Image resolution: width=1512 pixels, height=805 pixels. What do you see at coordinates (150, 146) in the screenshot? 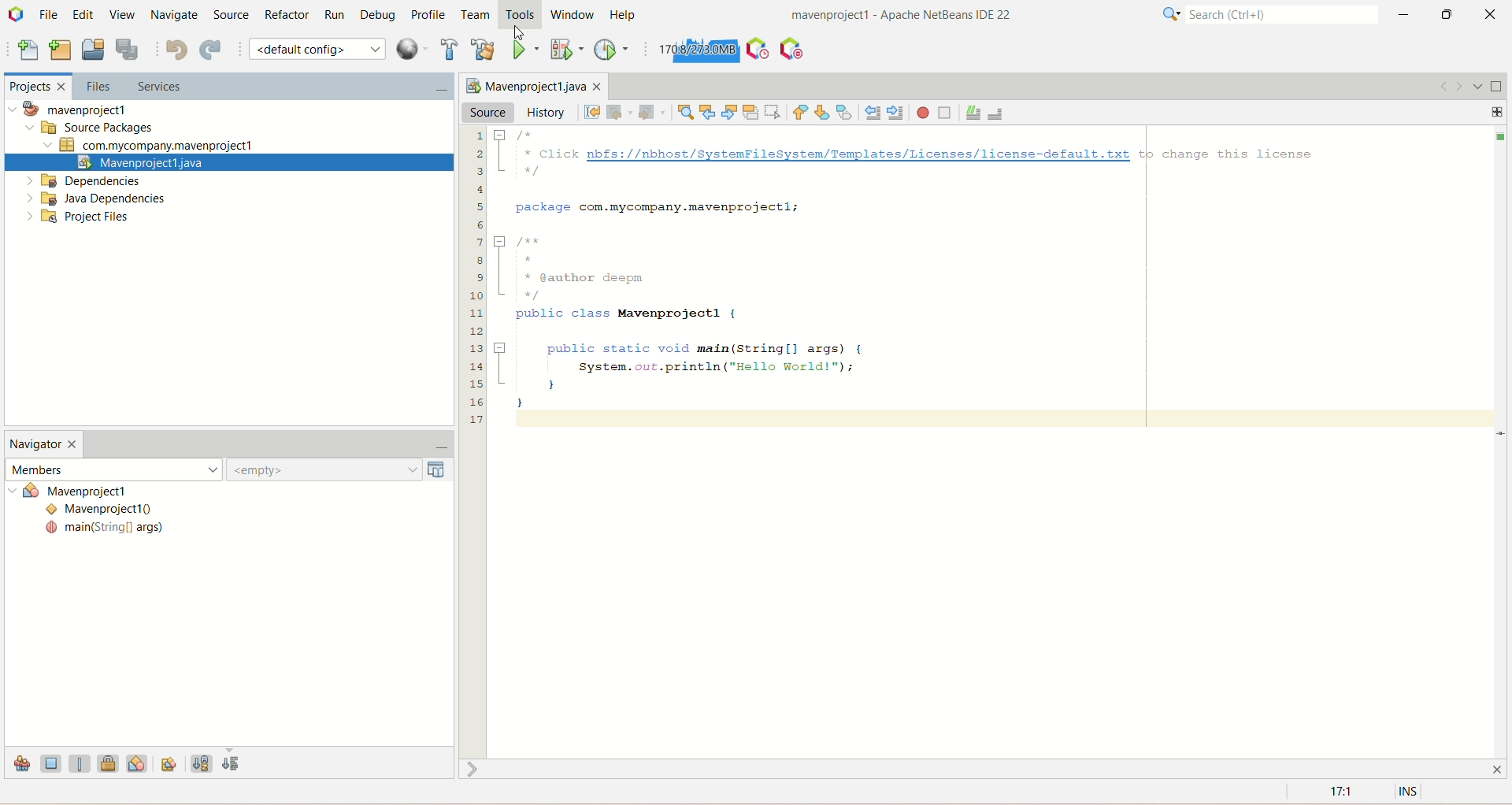
I see `com.mycompany.mavenproject1` at bounding box center [150, 146].